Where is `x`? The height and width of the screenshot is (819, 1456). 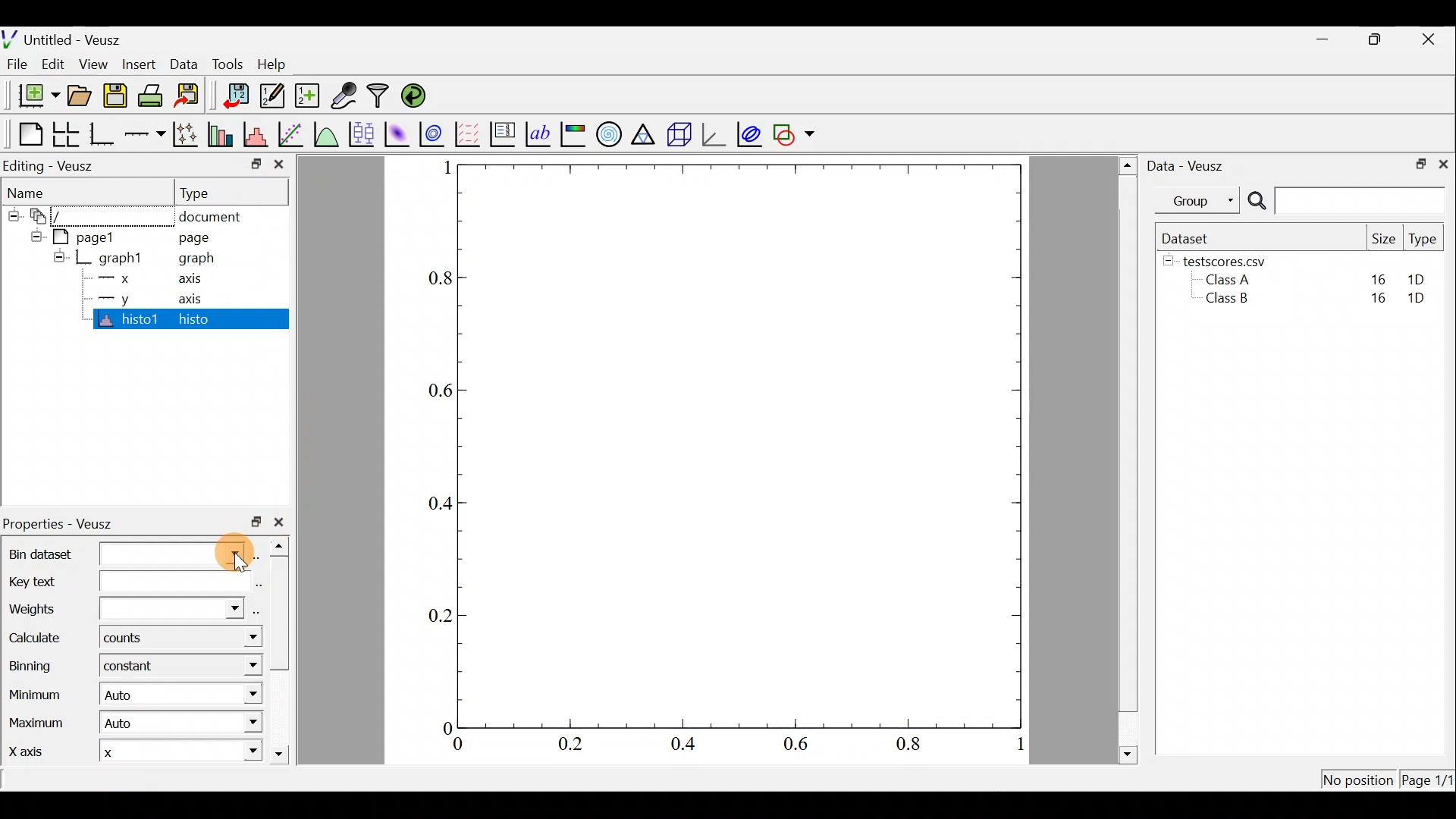
x is located at coordinates (118, 754).